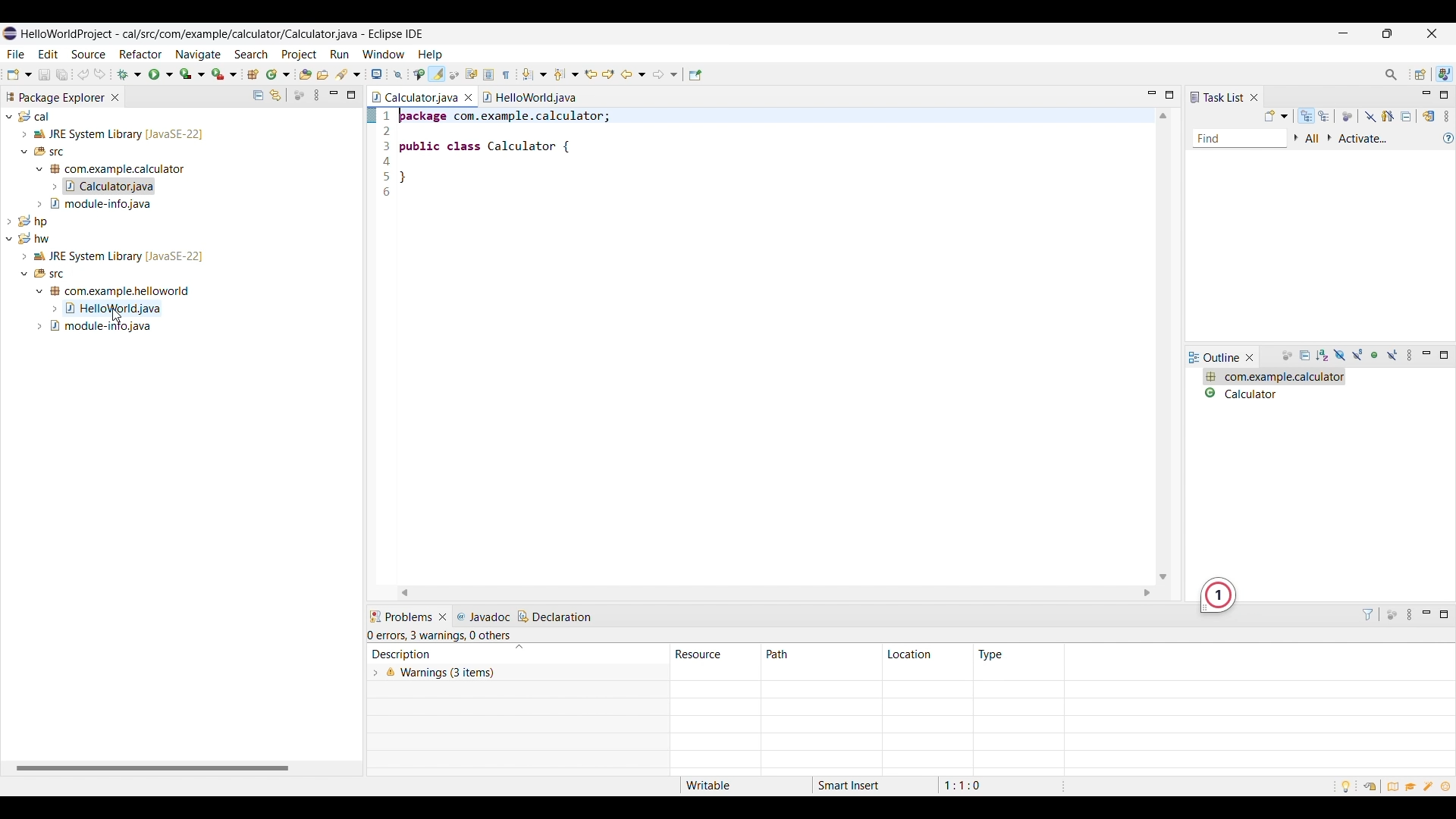 The width and height of the screenshot is (1456, 819). Describe the element at coordinates (48, 53) in the screenshot. I see `Edit` at that location.